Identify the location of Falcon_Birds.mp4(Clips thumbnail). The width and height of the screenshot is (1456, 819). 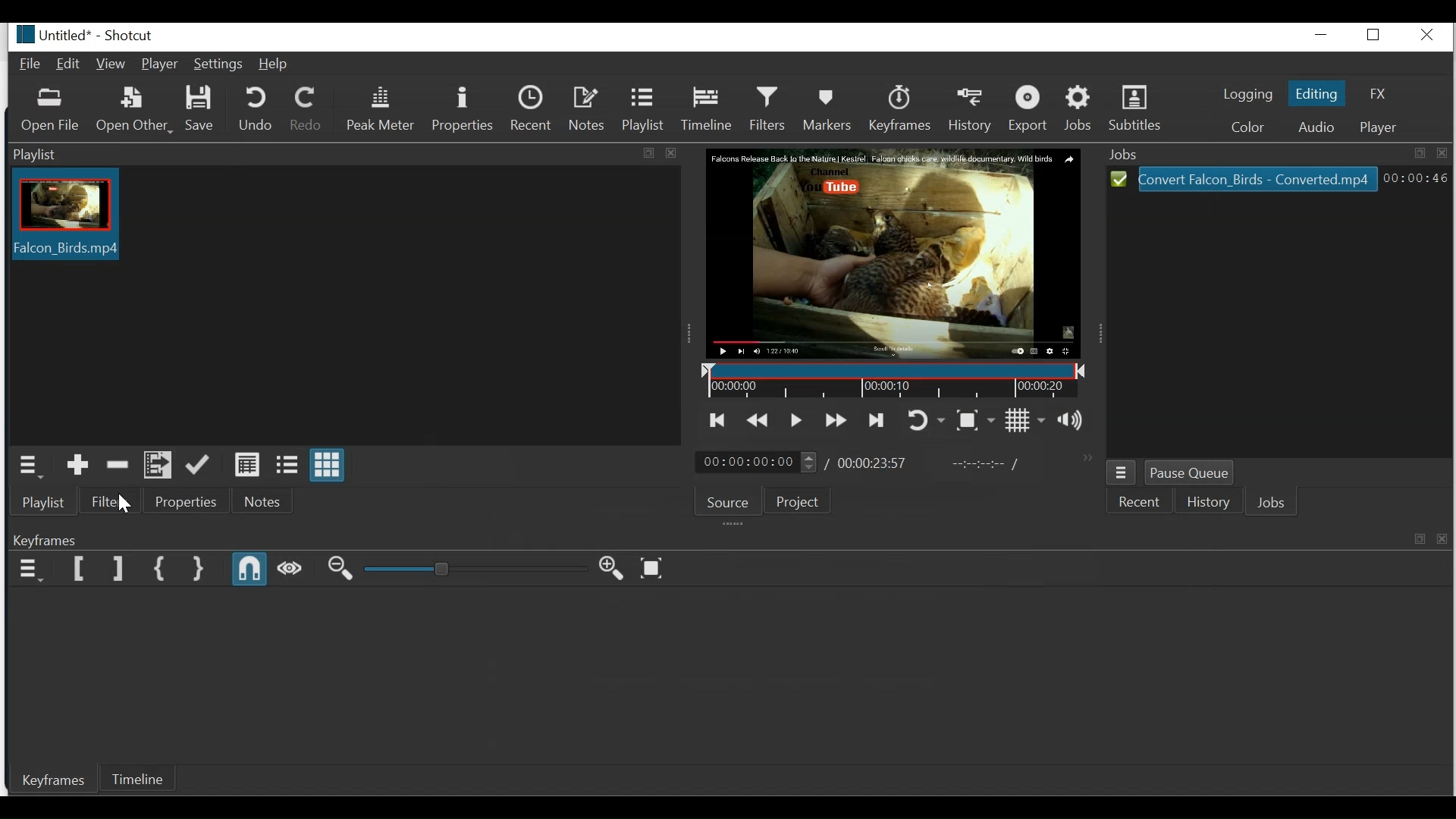
(65, 218).